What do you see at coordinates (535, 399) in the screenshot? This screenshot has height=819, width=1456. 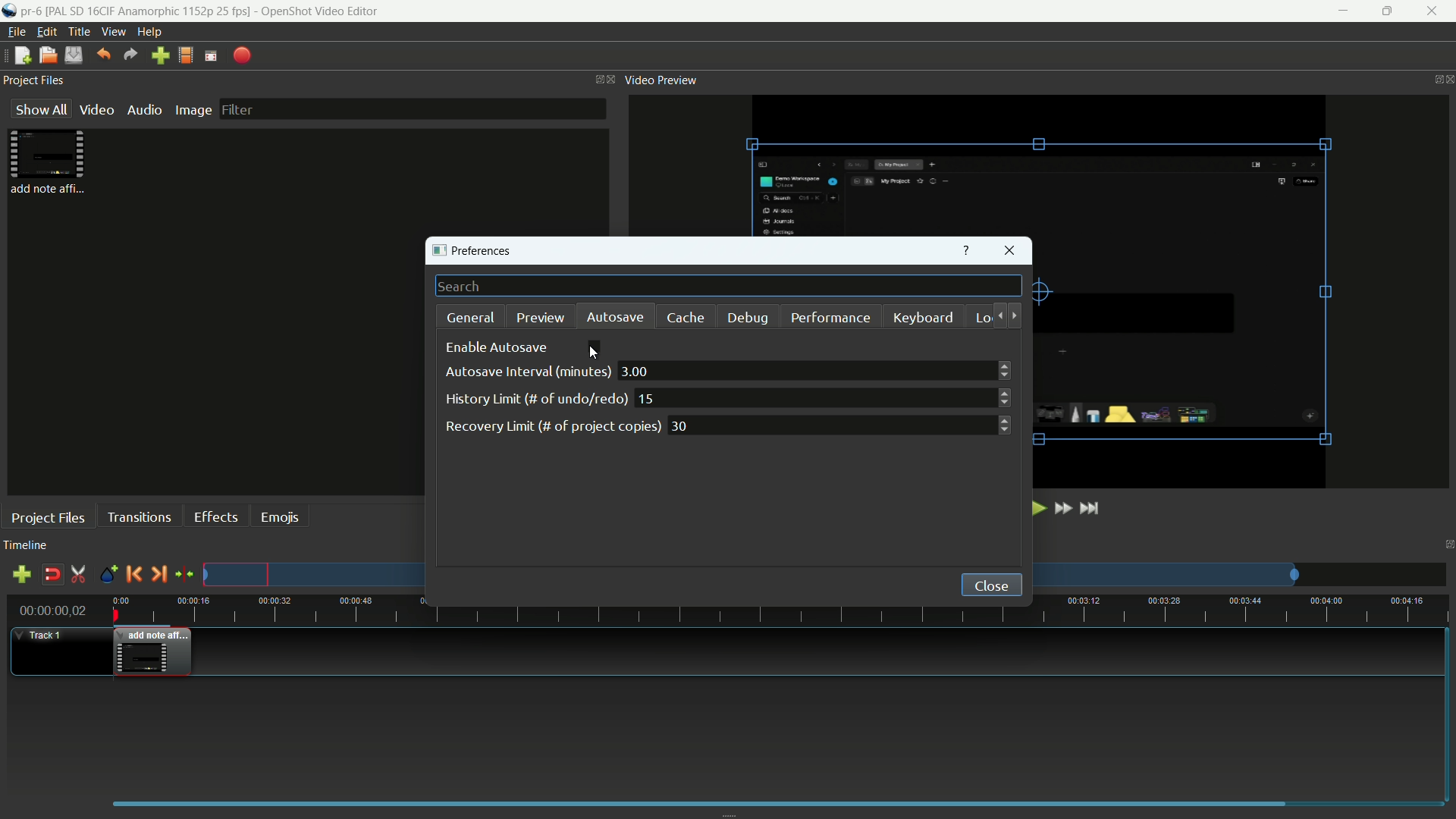 I see `history limit` at bounding box center [535, 399].